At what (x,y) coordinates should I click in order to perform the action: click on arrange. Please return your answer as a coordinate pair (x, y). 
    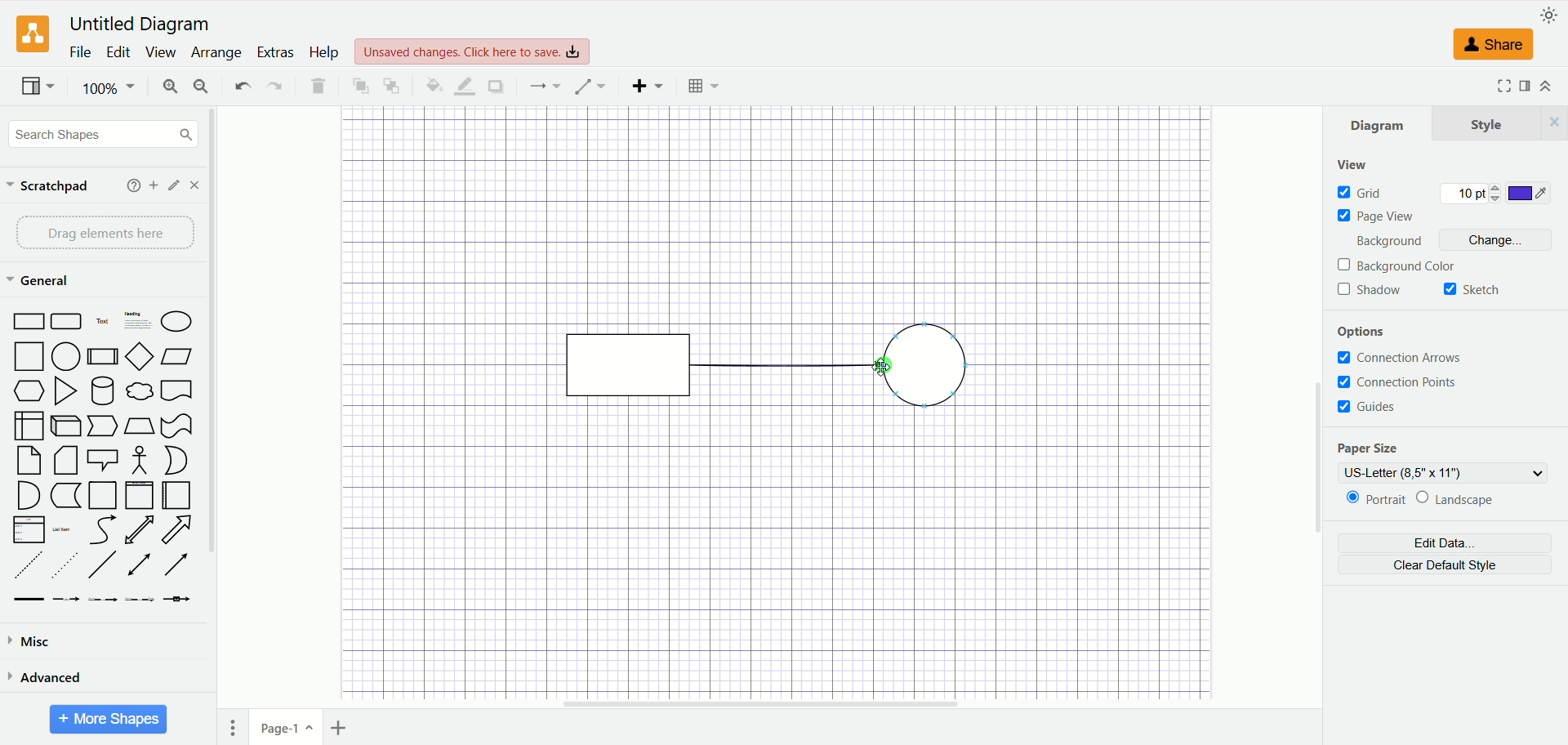
    Looking at the image, I should click on (216, 53).